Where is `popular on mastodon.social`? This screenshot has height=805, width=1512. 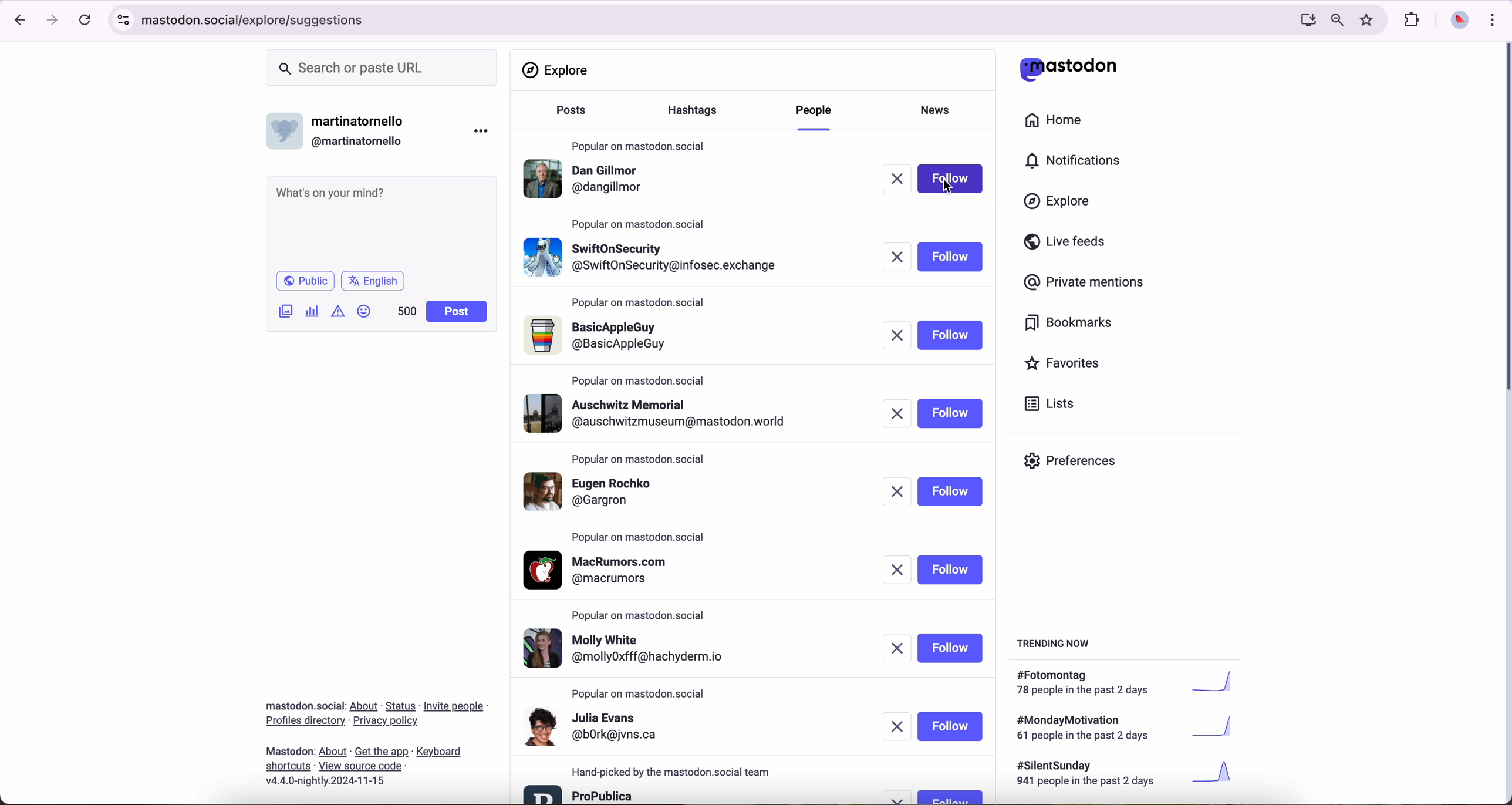
popular on mastodon.social is located at coordinates (637, 457).